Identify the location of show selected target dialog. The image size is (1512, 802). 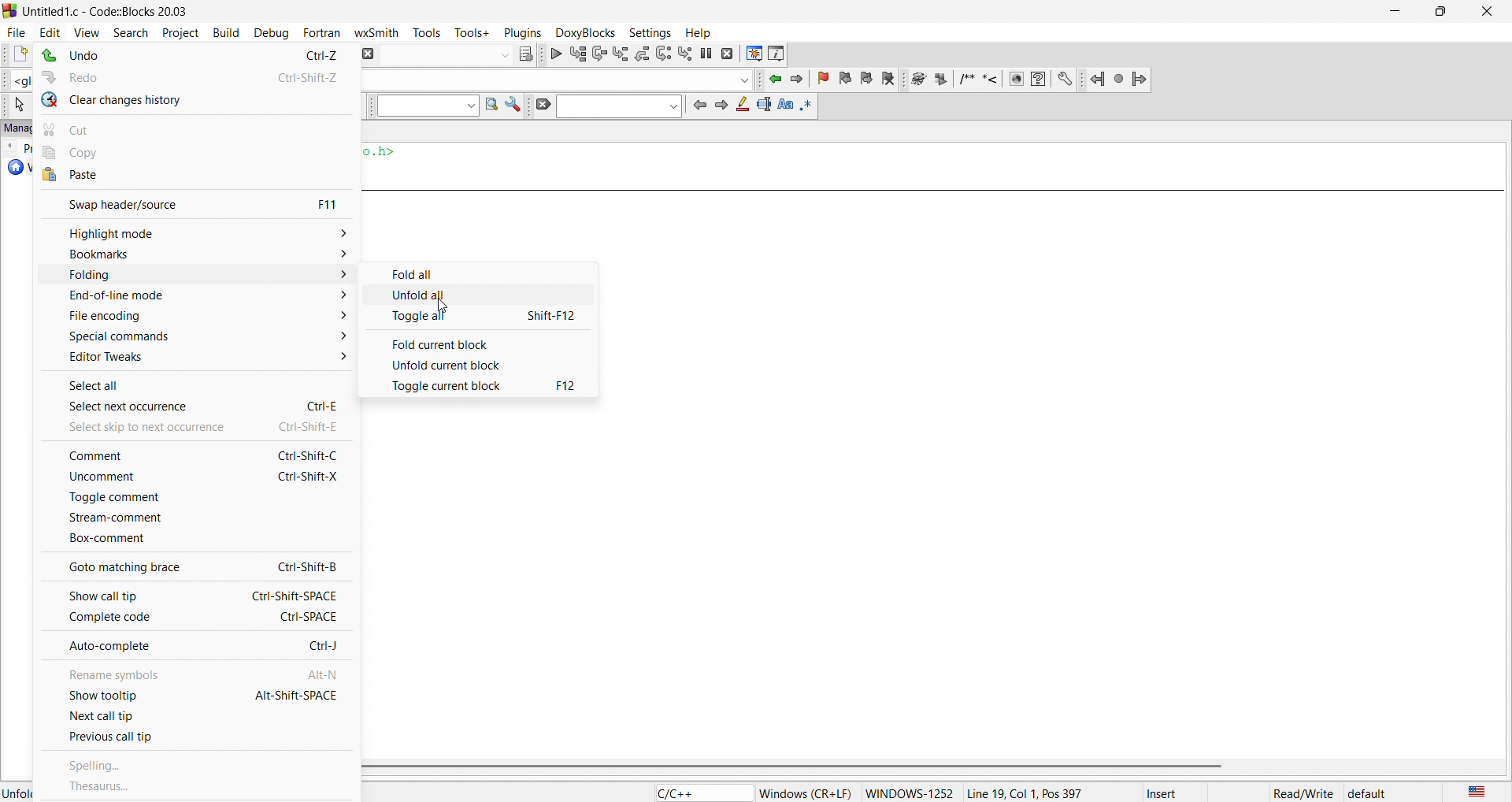
(524, 53).